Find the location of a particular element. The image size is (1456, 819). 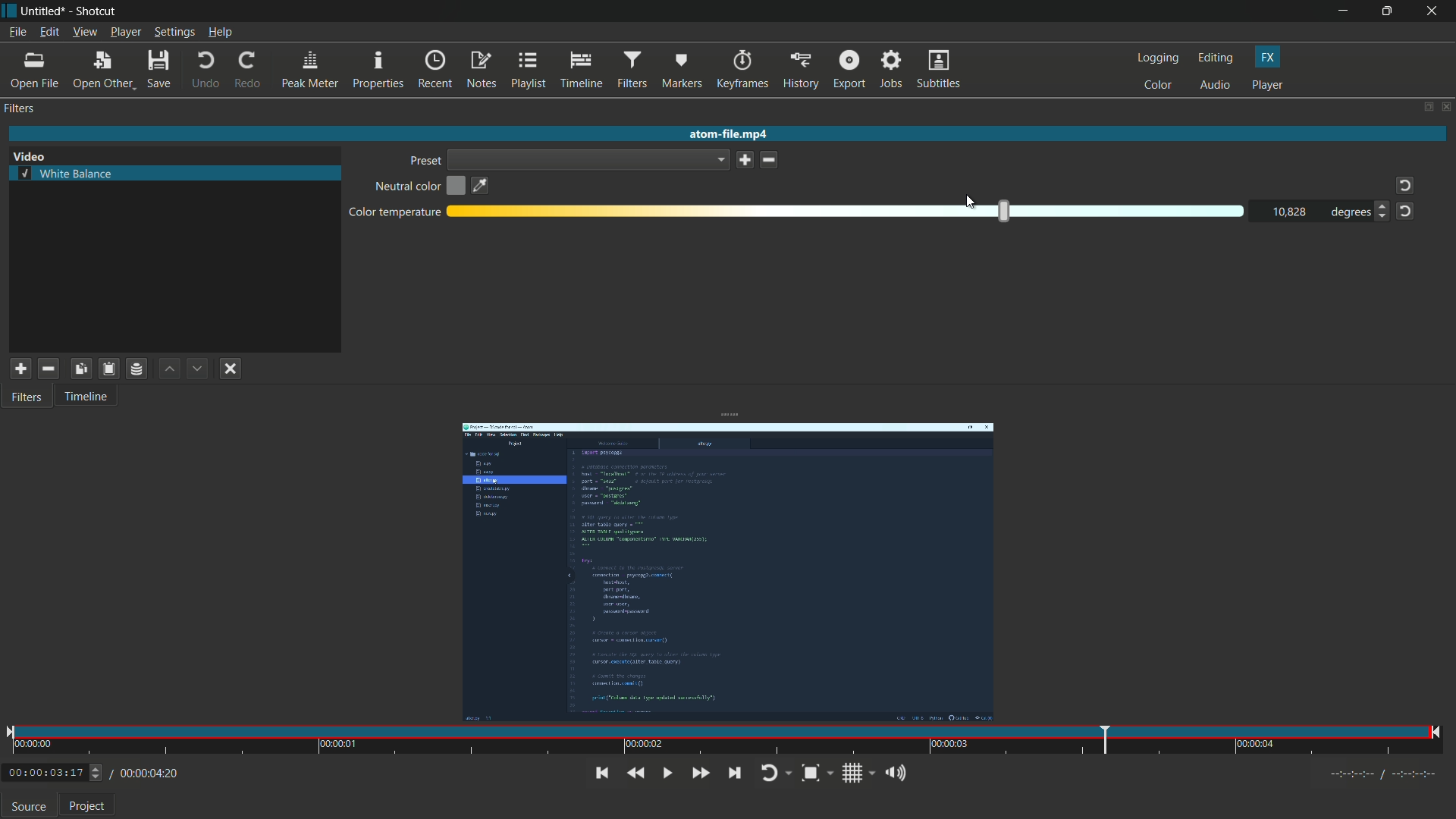

project is located at coordinates (87, 808).